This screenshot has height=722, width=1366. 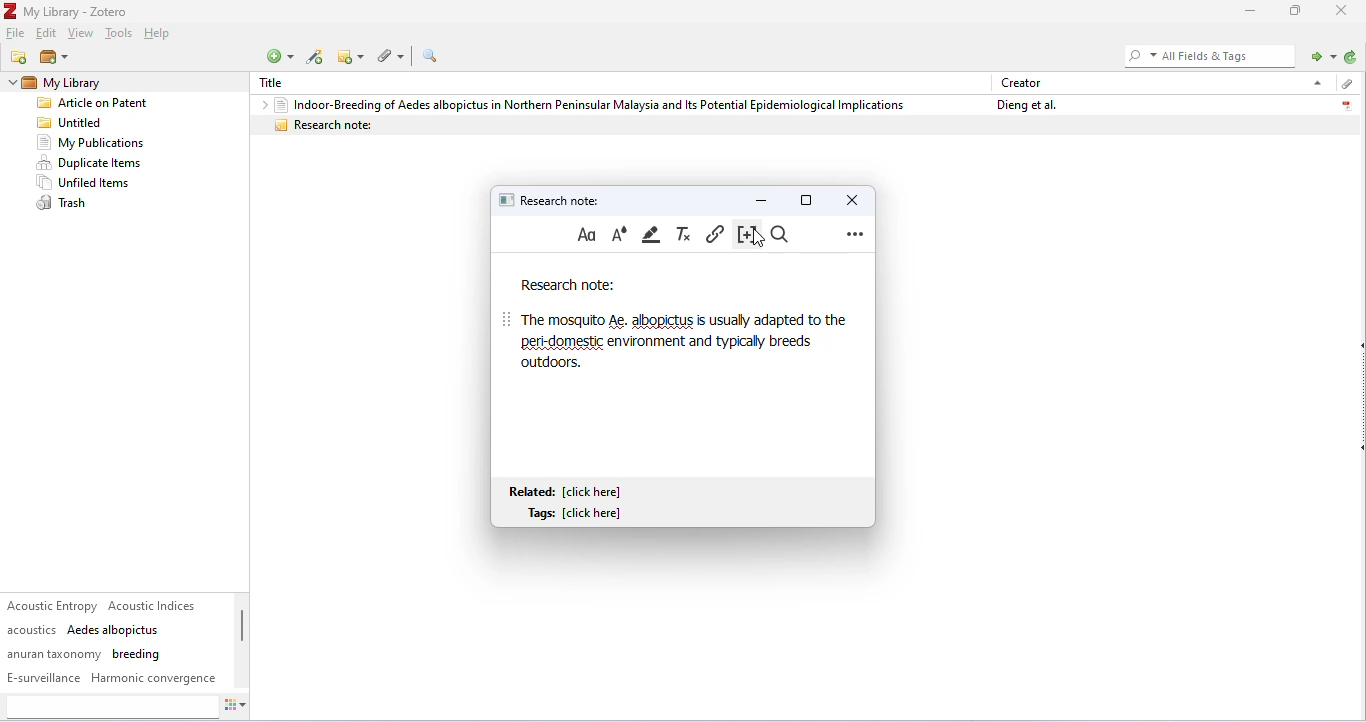 I want to click on trash, so click(x=65, y=204).